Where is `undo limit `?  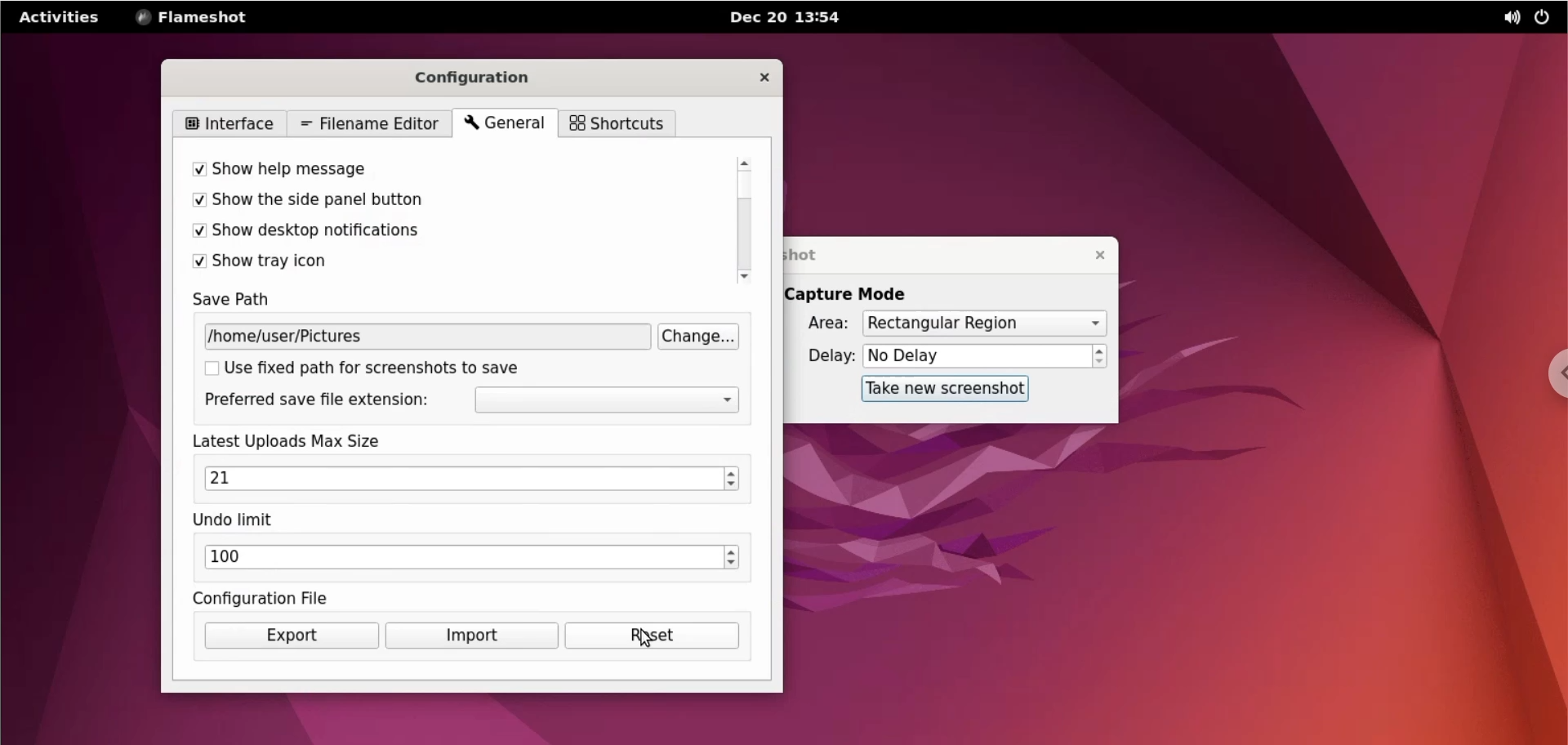 undo limit  is located at coordinates (246, 520).